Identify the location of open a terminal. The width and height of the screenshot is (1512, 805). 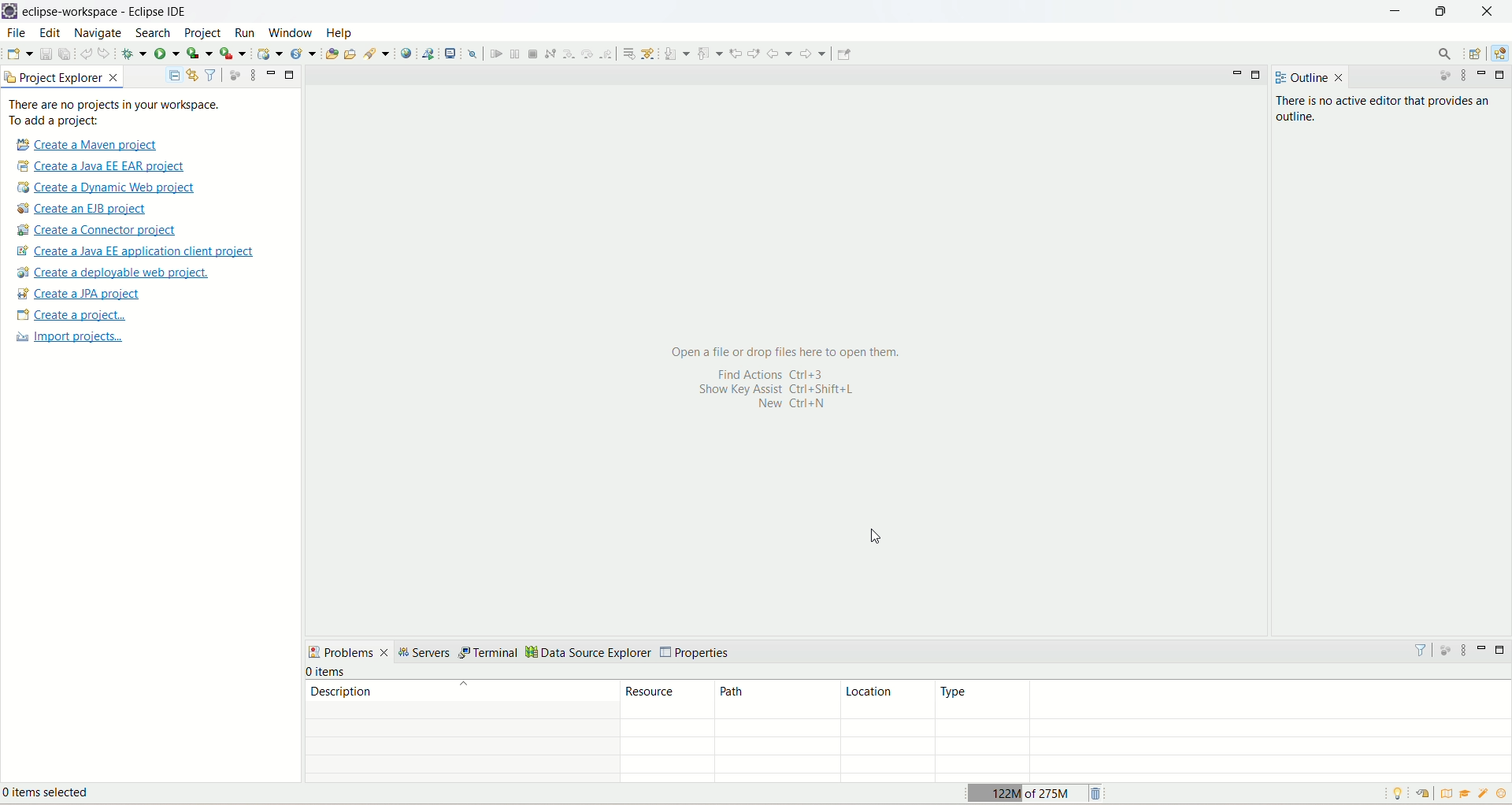
(452, 52).